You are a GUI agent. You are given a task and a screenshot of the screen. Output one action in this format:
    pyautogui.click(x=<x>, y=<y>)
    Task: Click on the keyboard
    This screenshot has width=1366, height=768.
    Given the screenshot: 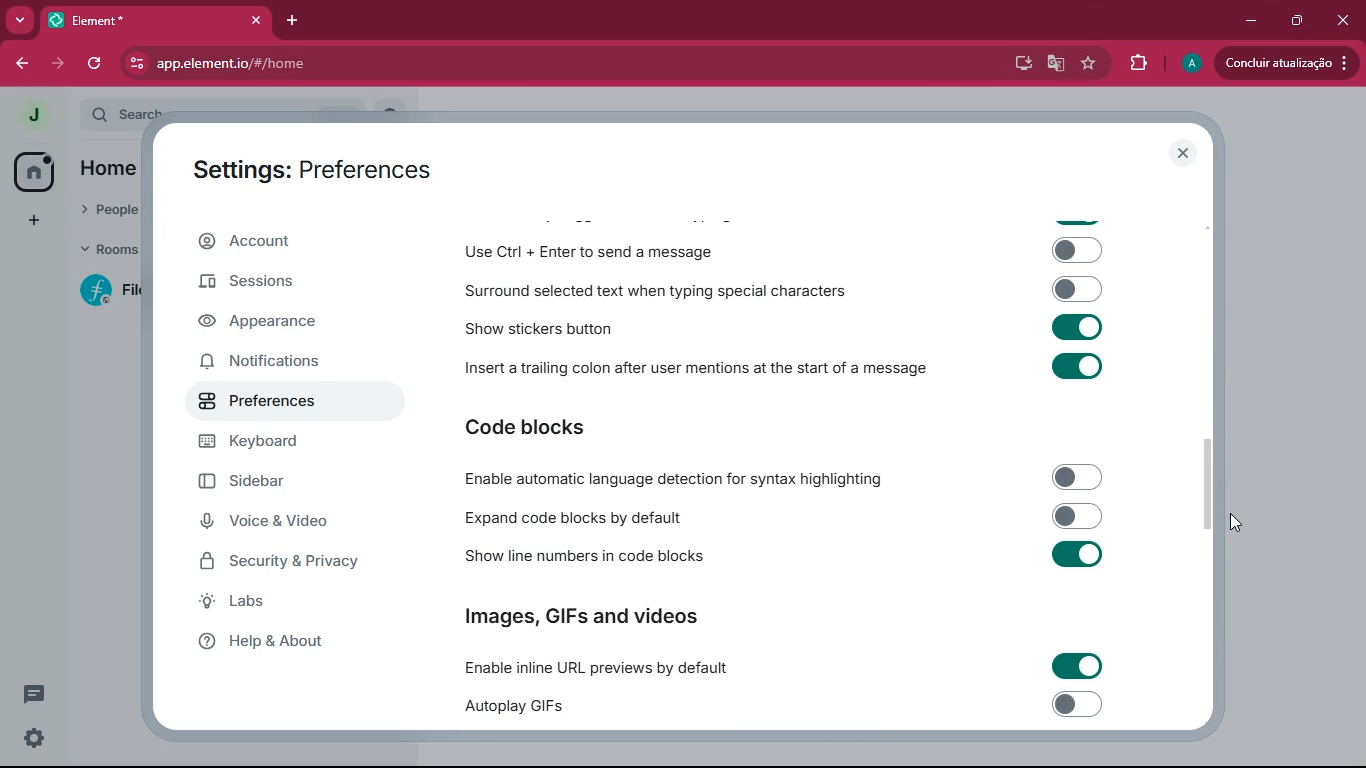 What is the action you would take?
    pyautogui.click(x=277, y=442)
    